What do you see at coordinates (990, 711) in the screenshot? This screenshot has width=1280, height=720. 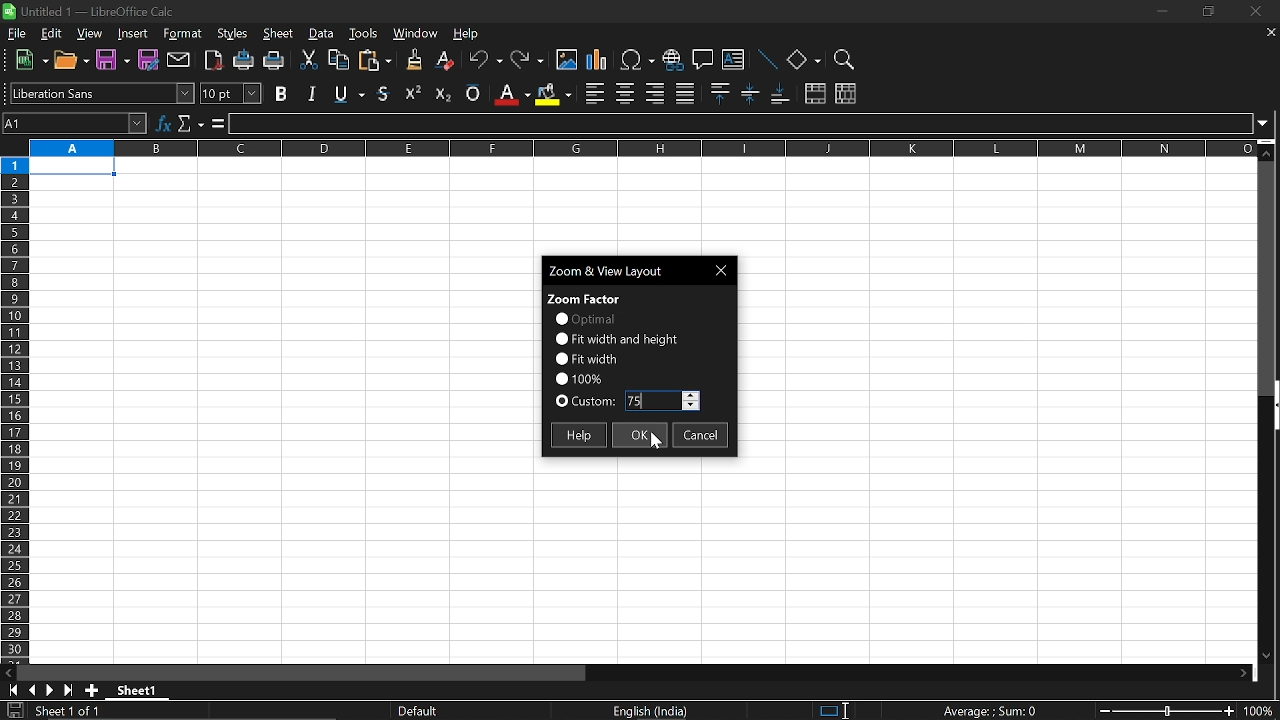 I see `current formula` at bounding box center [990, 711].